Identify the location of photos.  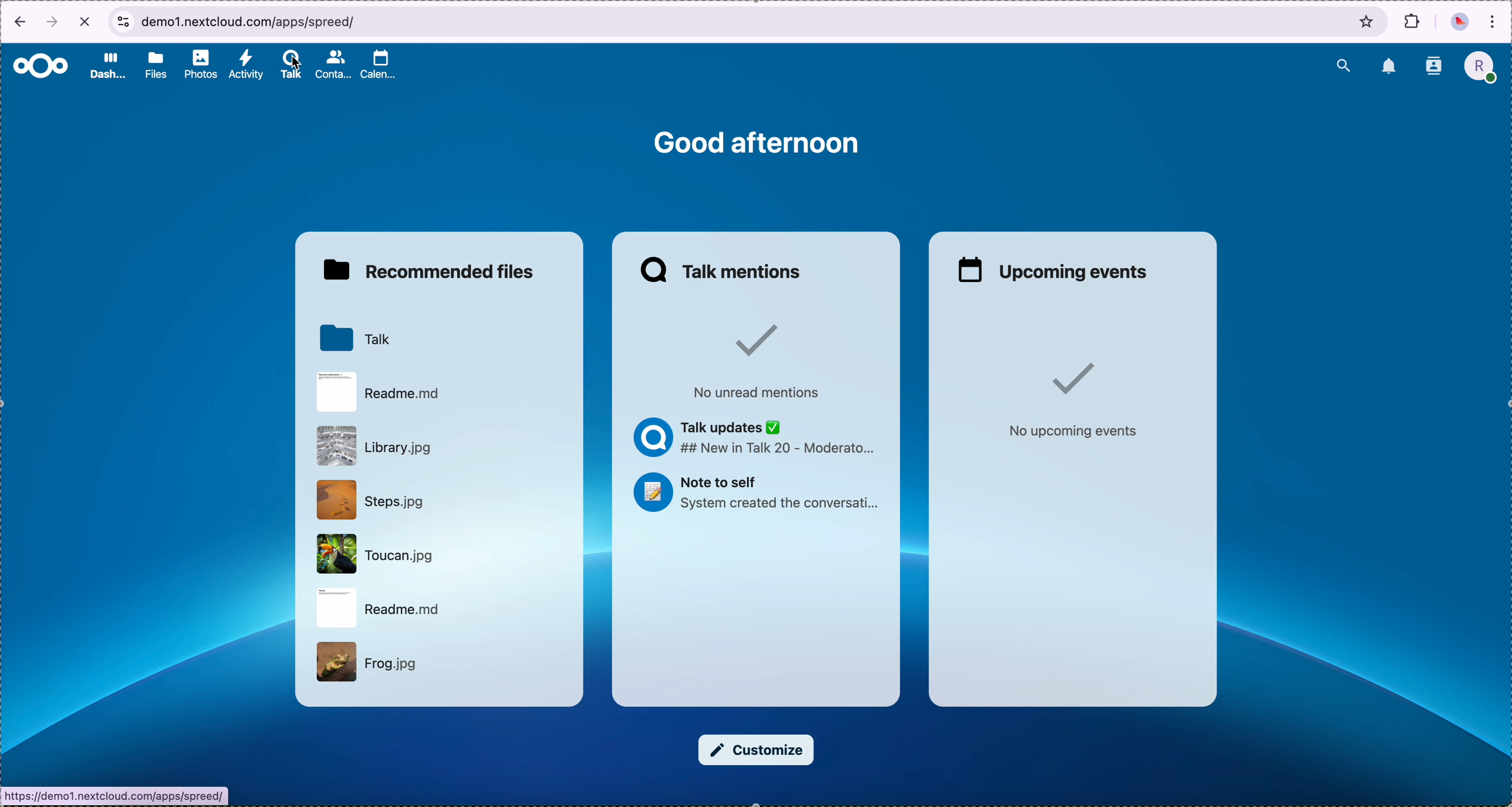
(201, 64).